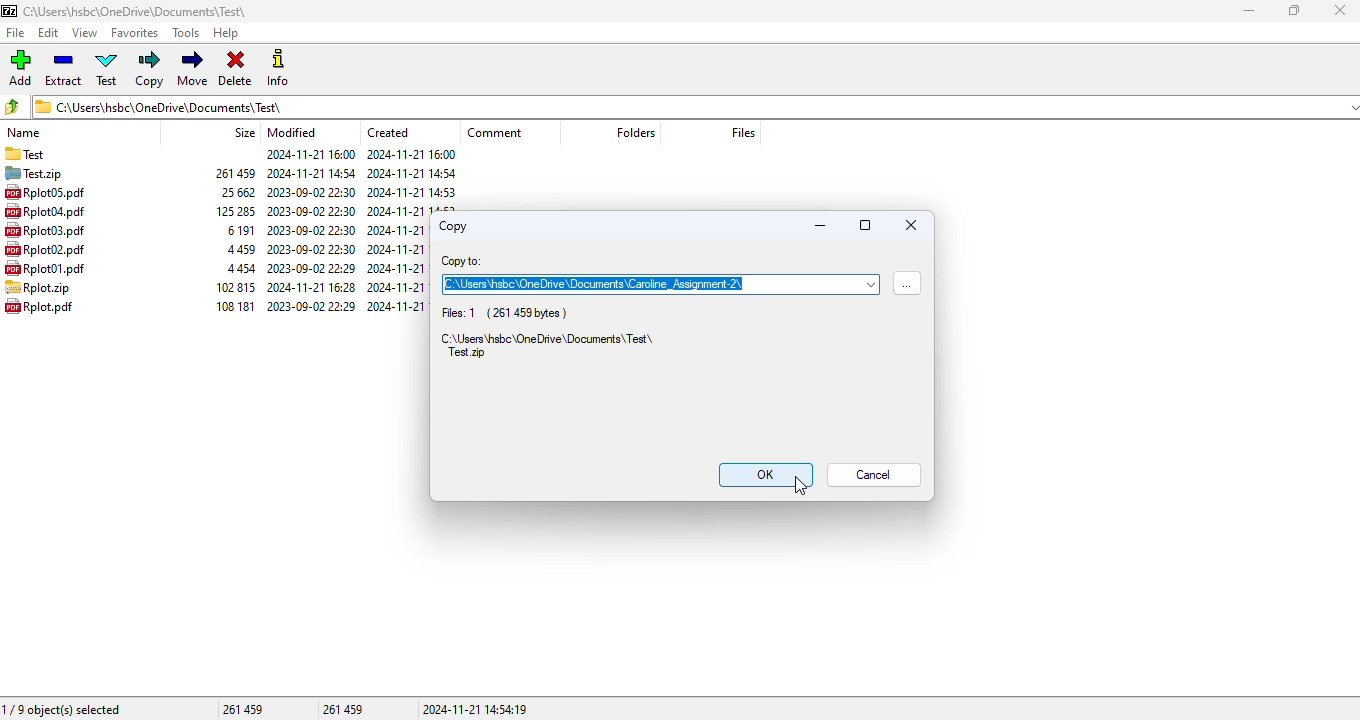 The width and height of the screenshot is (1360, 720). What do you see at coordinates (635, 131) in the screenshot?
I see `folders` at bounding box center [635, 131].